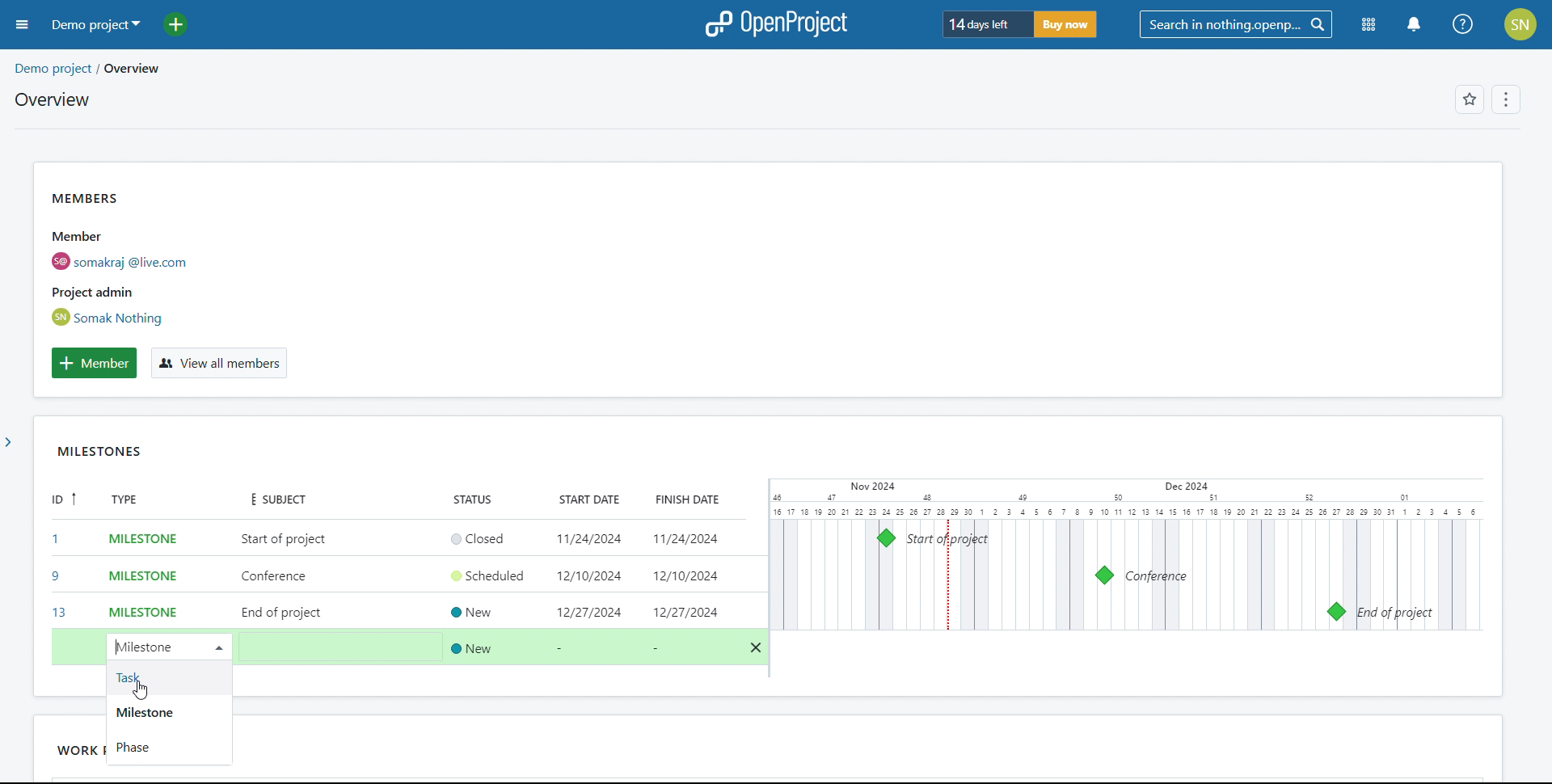 The image size is (1552, 784). Describe the element at coordinates (1540, 213) in the screenshot. I see `scroll bar` at that location.